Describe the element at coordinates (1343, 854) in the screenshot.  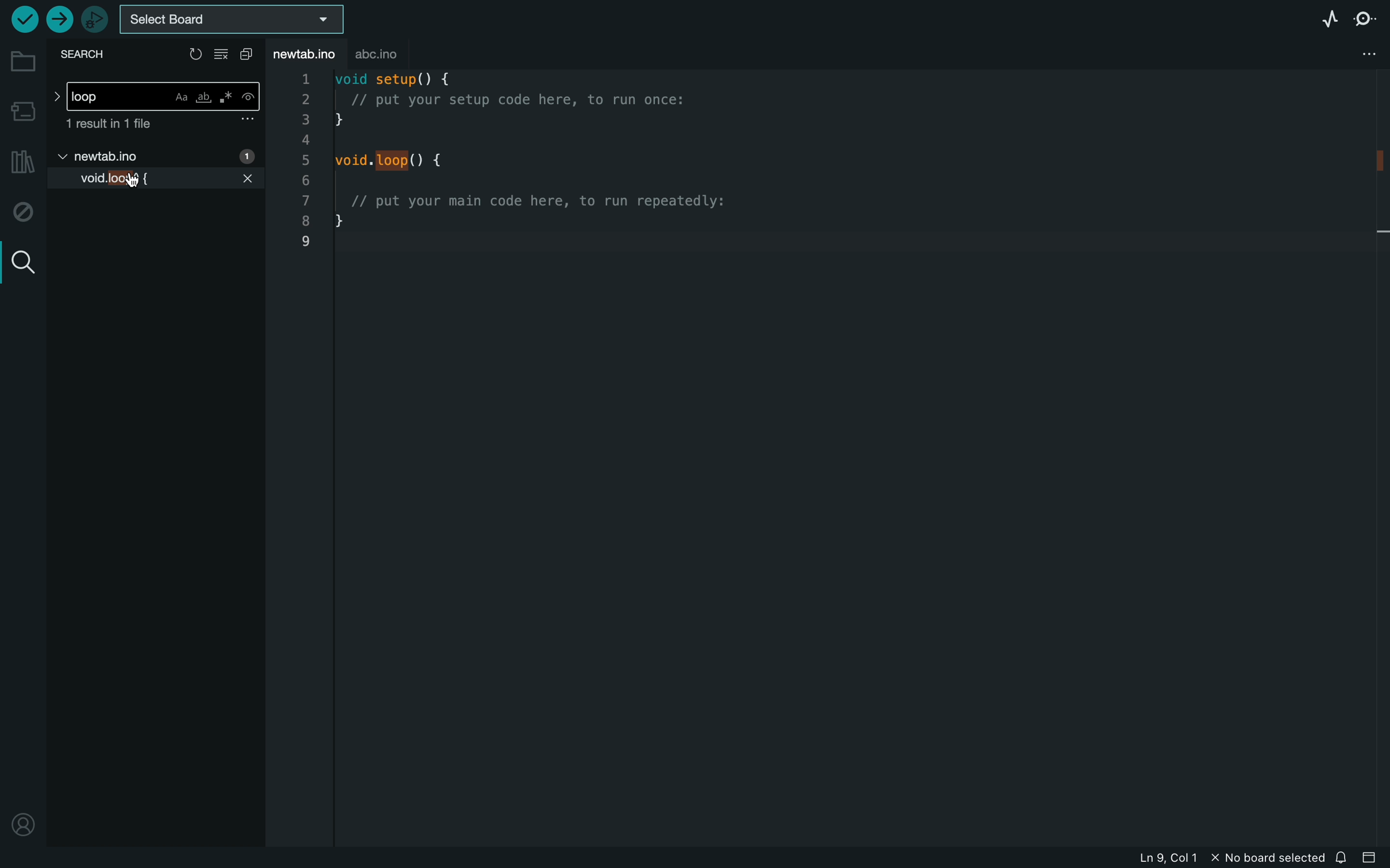
I see `notification` at that location.